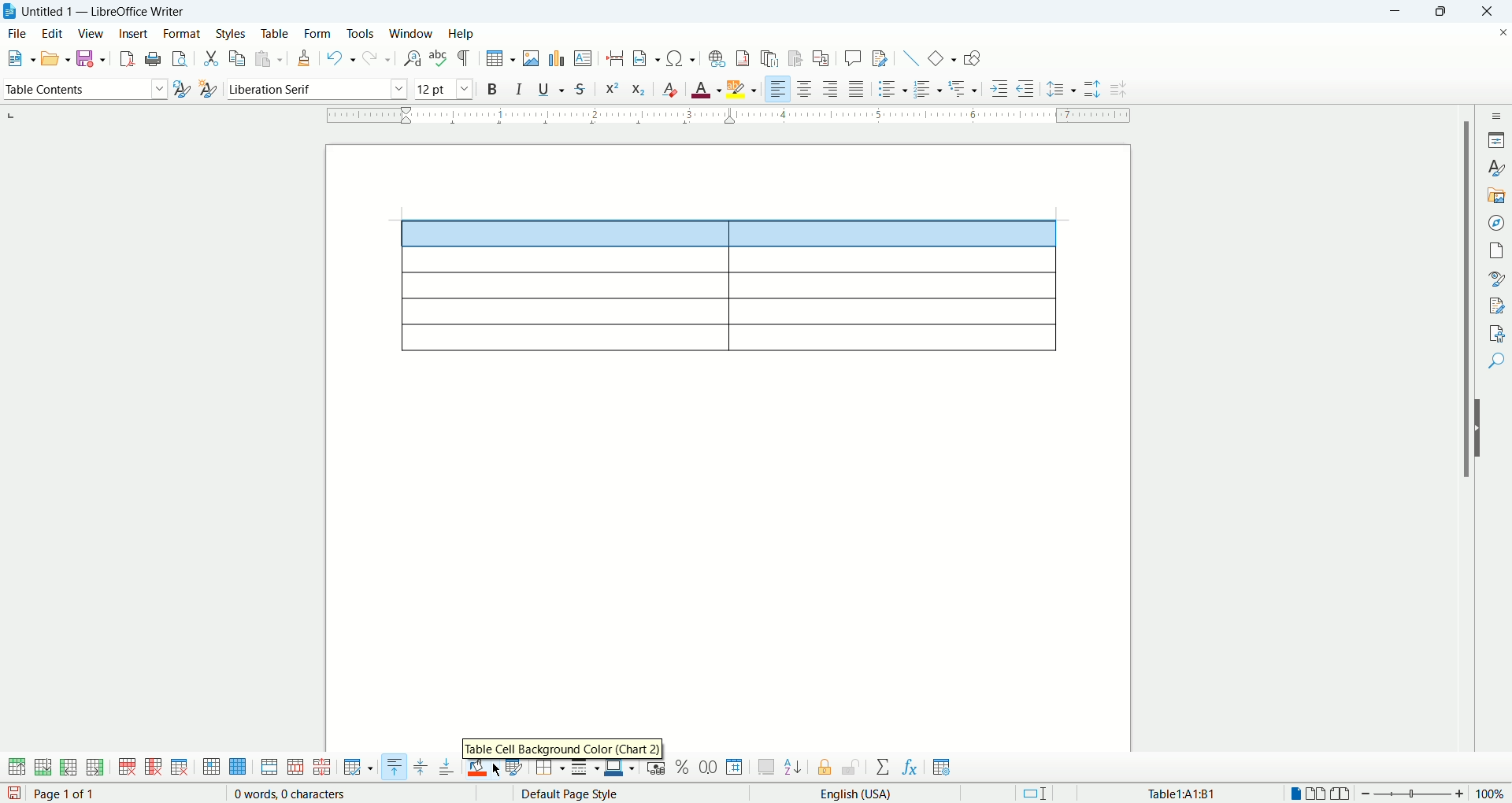 This screenshot has height=803, width=1512. Describe the element at coordinates (1399, 12) in the screenshot. I see `minimize` at that location.